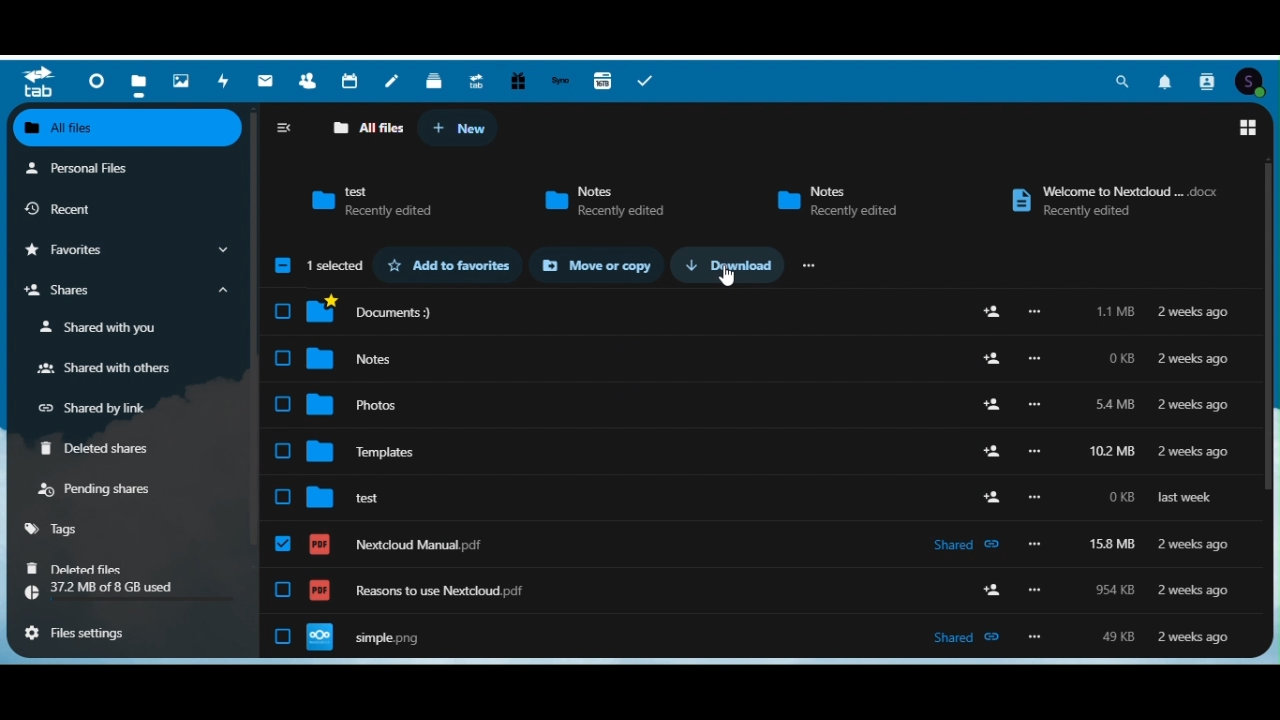  I want to click on simple, so click(763, 639).